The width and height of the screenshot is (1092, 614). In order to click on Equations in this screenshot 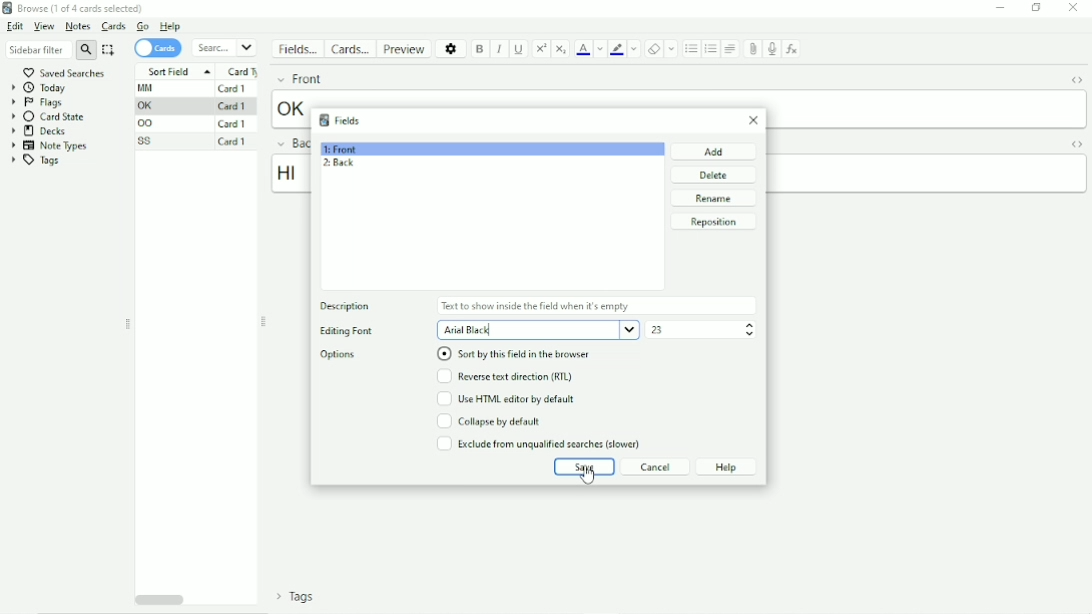, I will do `click(793, 49)`.